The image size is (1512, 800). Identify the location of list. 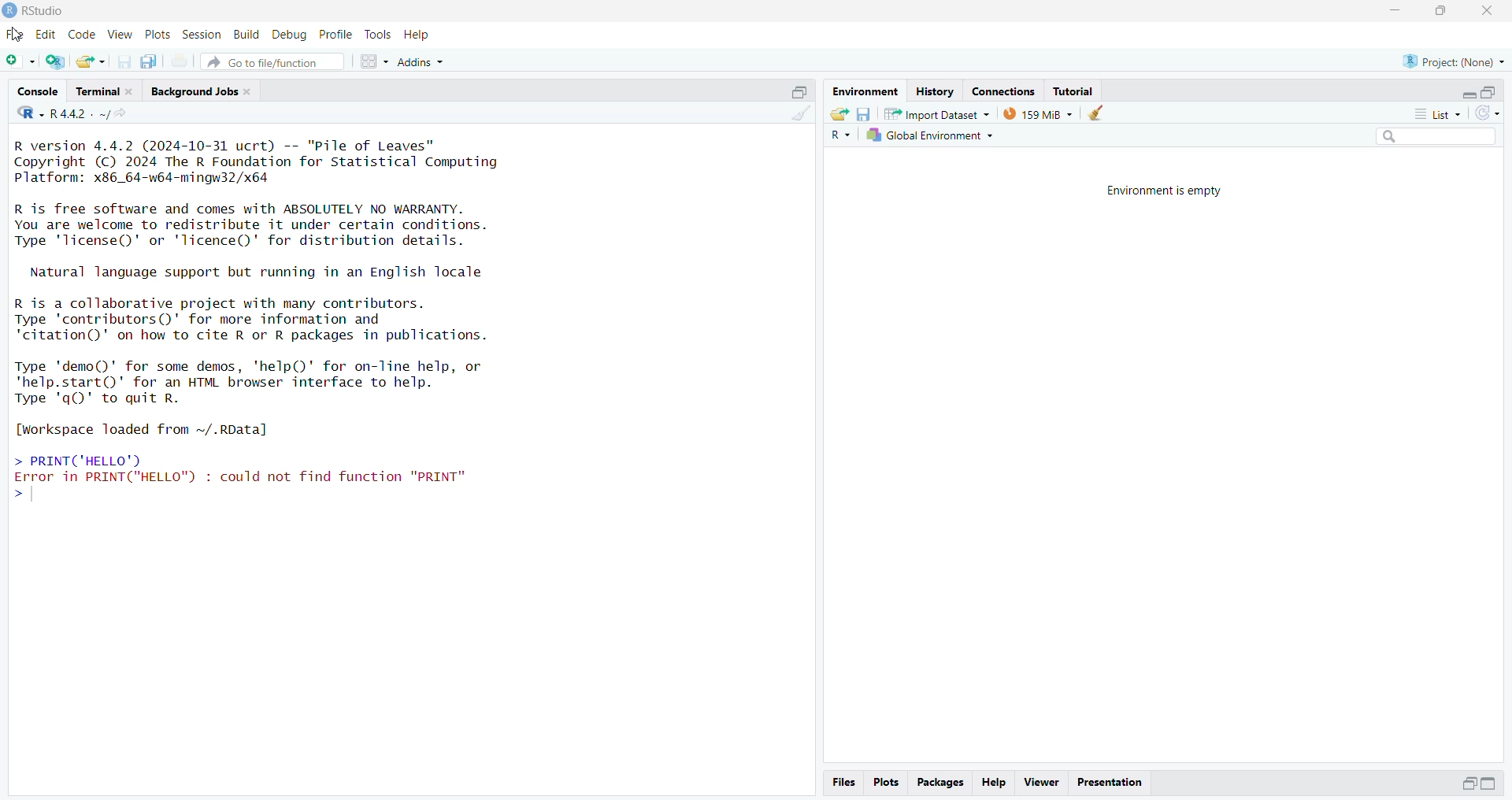
(1430, 113).